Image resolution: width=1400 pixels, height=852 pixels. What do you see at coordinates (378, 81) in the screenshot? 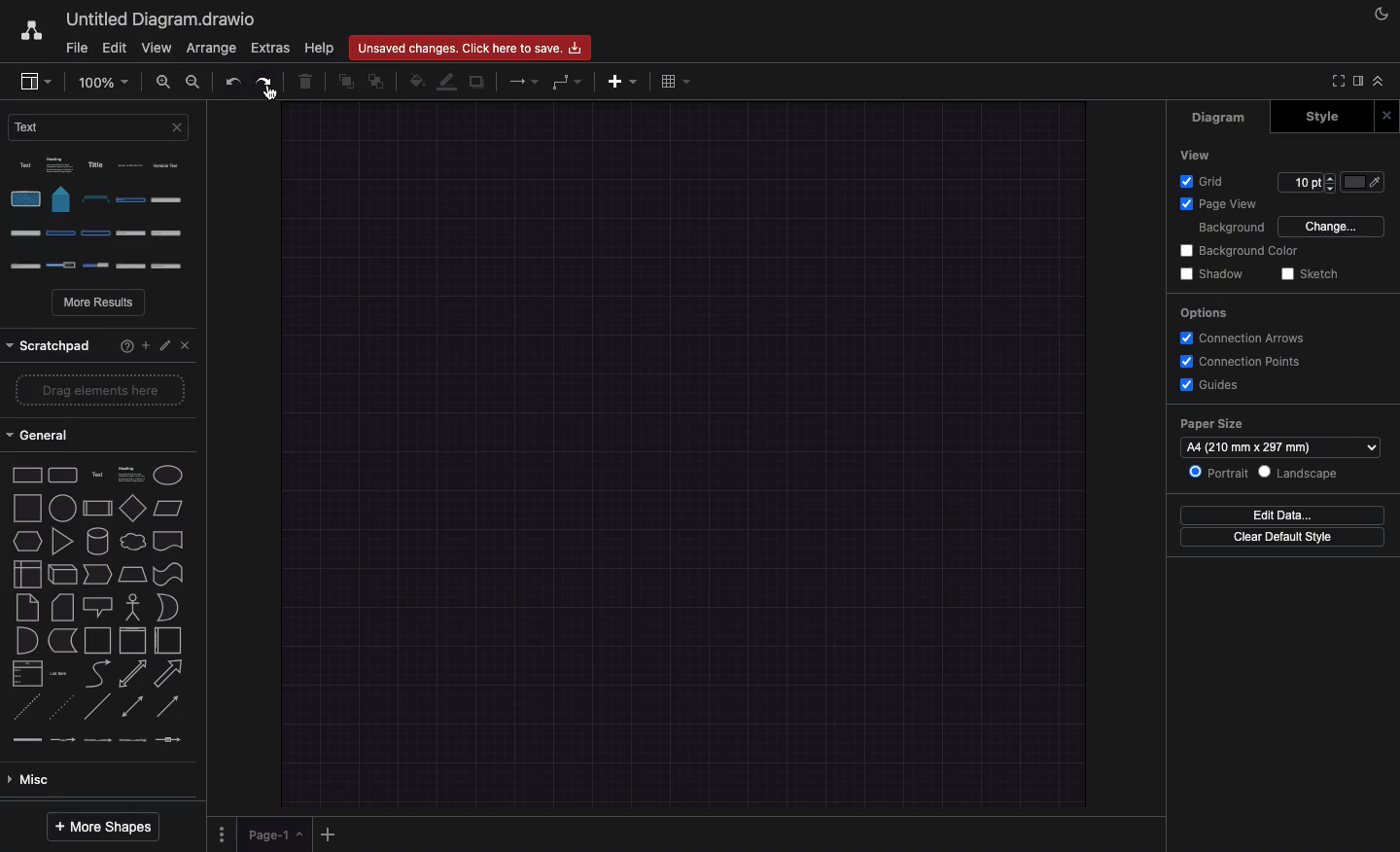
I see `To back` at bounding box center [378, 81].